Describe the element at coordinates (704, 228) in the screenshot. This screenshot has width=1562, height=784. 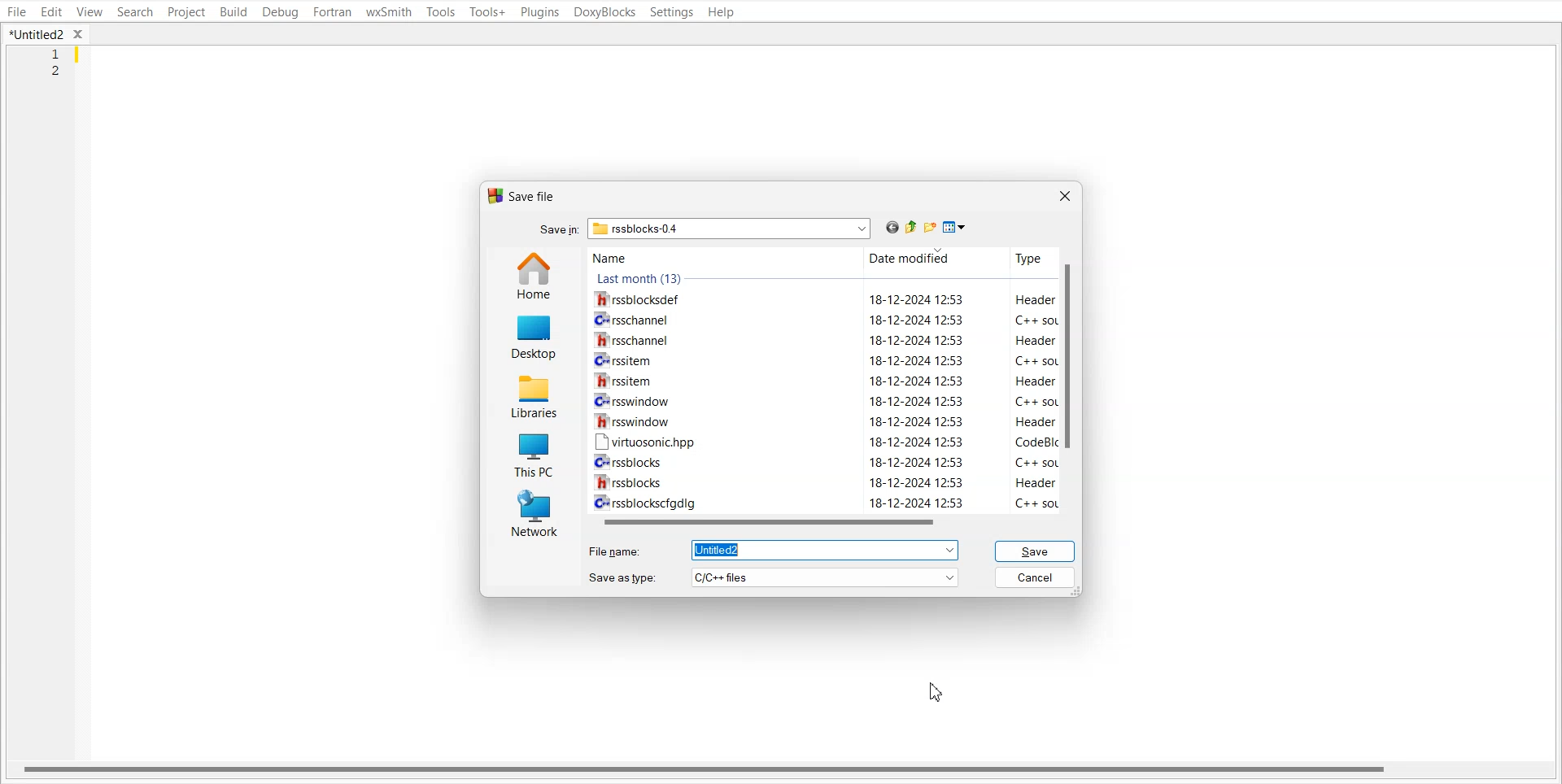
I see `Search bar` at that location.